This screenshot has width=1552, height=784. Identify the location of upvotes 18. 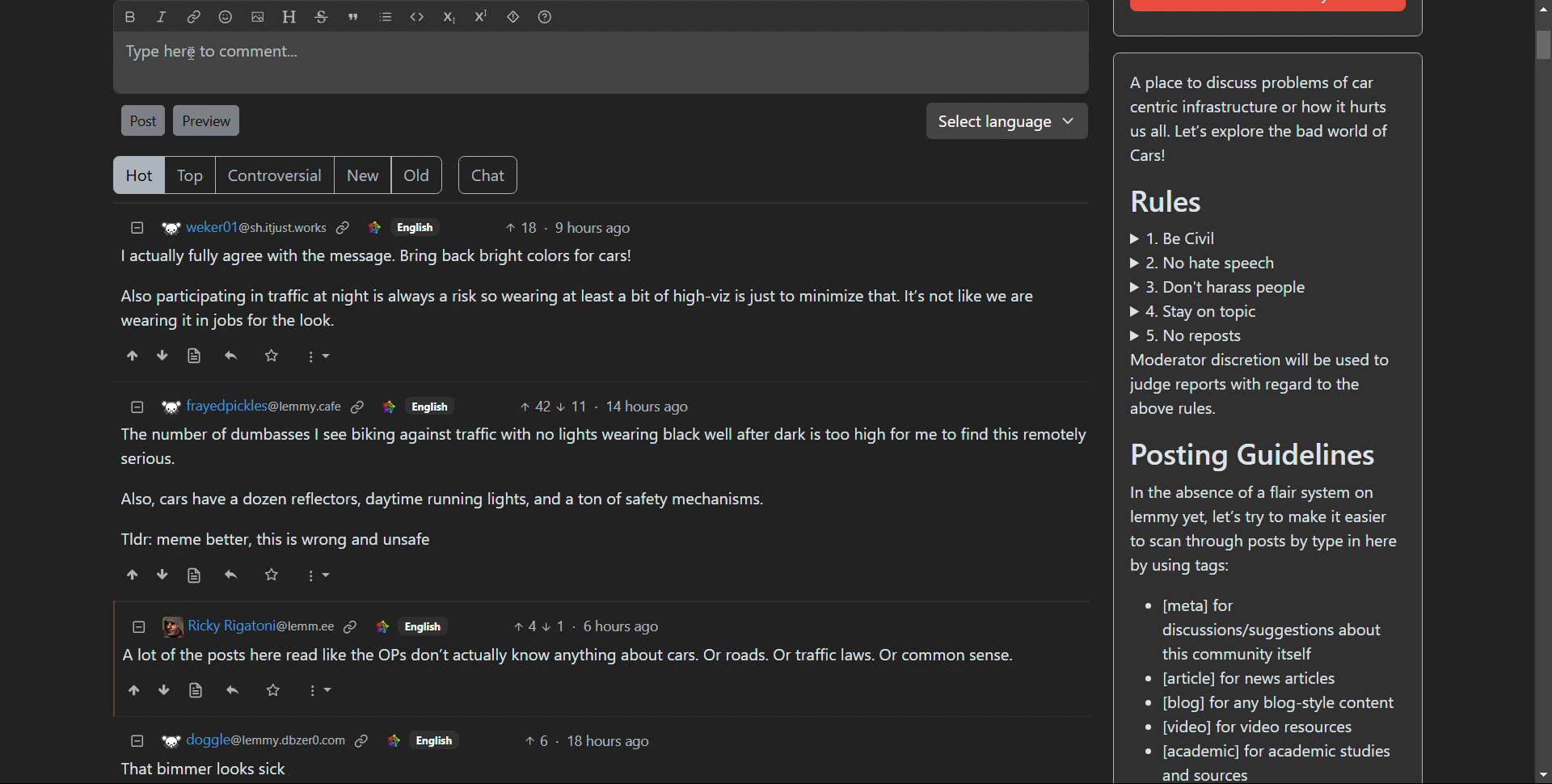
(521, 227).